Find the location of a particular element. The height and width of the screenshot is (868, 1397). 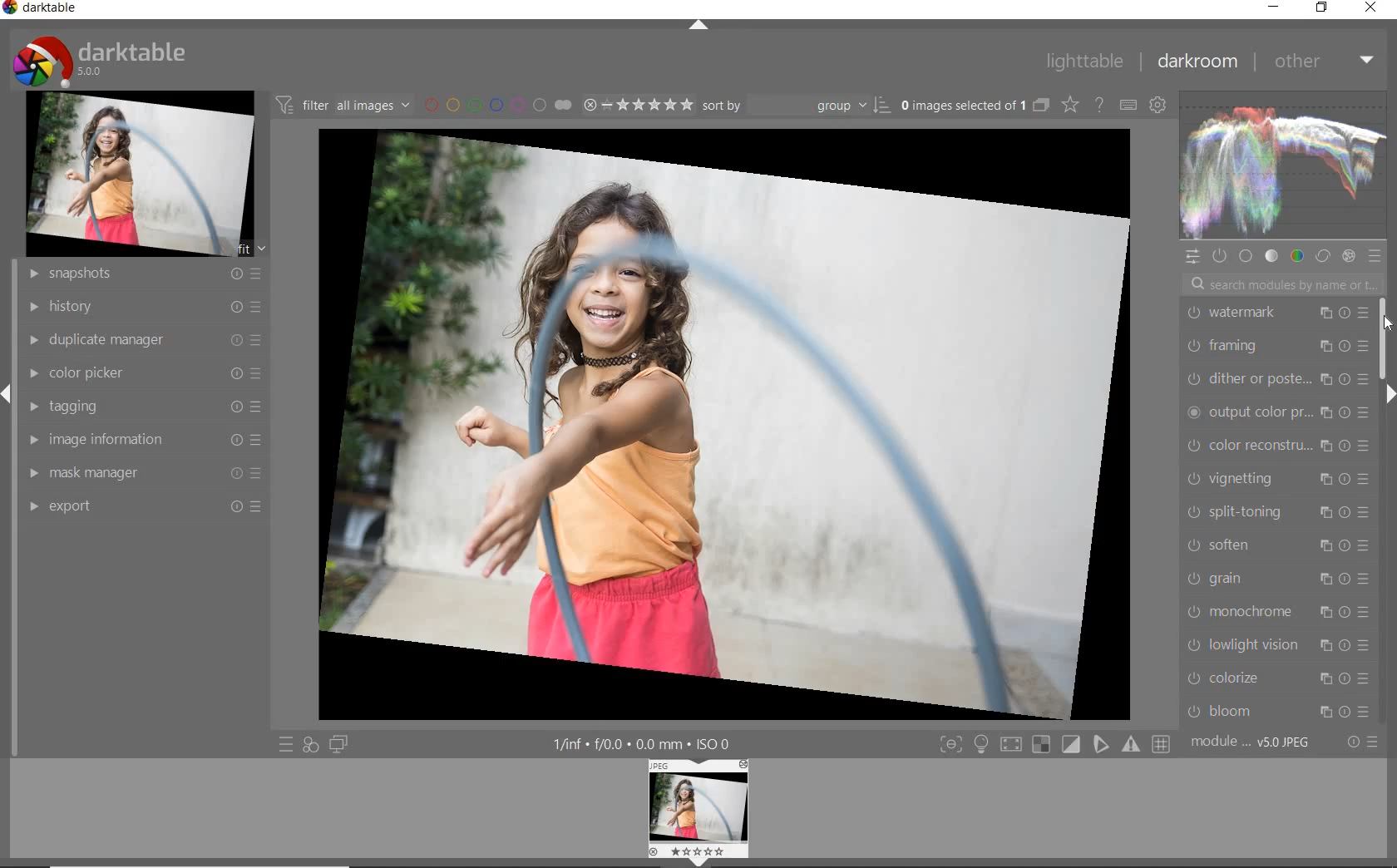

soften is located at coordinates (1275, 545).